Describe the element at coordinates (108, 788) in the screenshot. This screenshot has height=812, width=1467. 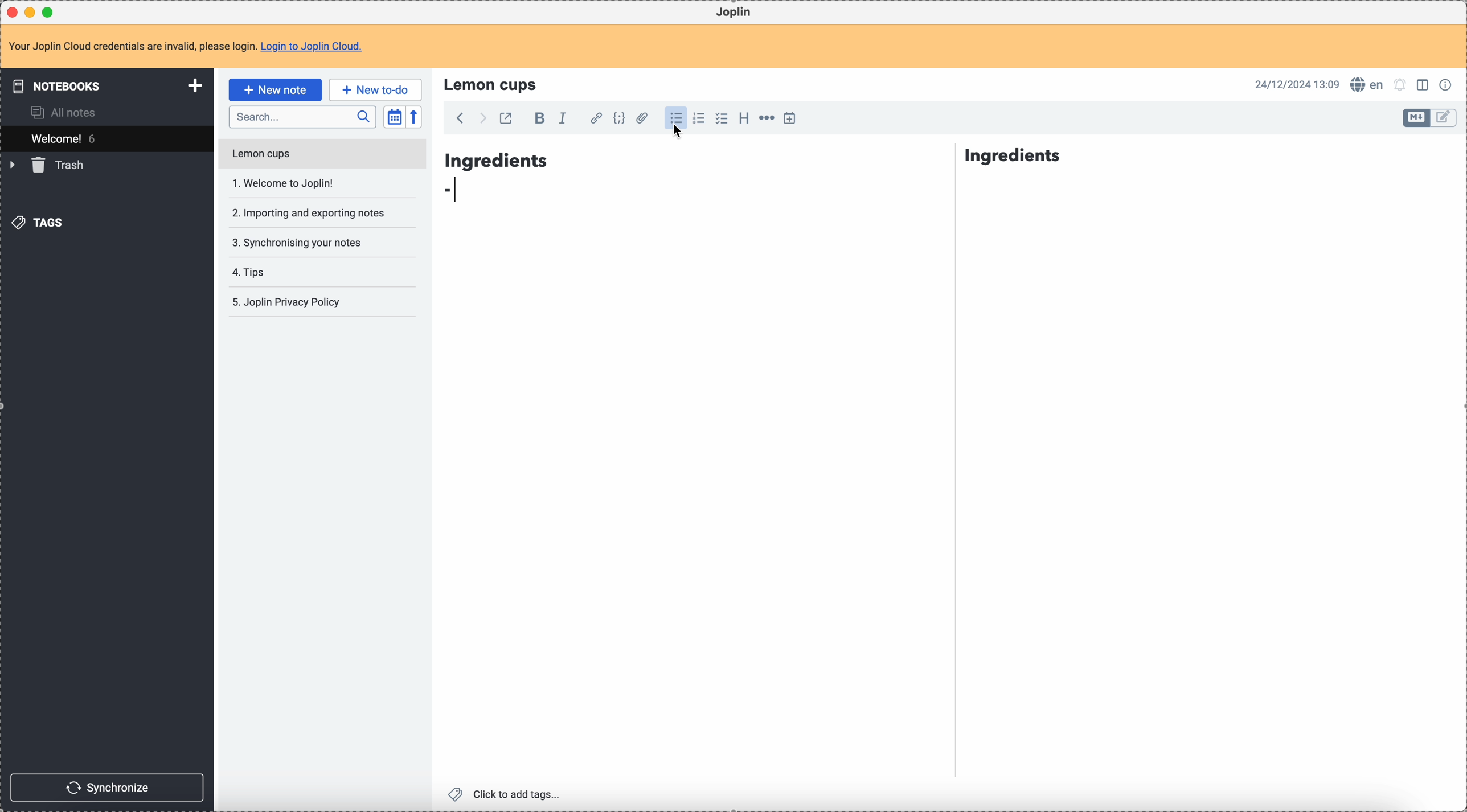
I see `synchronize` at that location.